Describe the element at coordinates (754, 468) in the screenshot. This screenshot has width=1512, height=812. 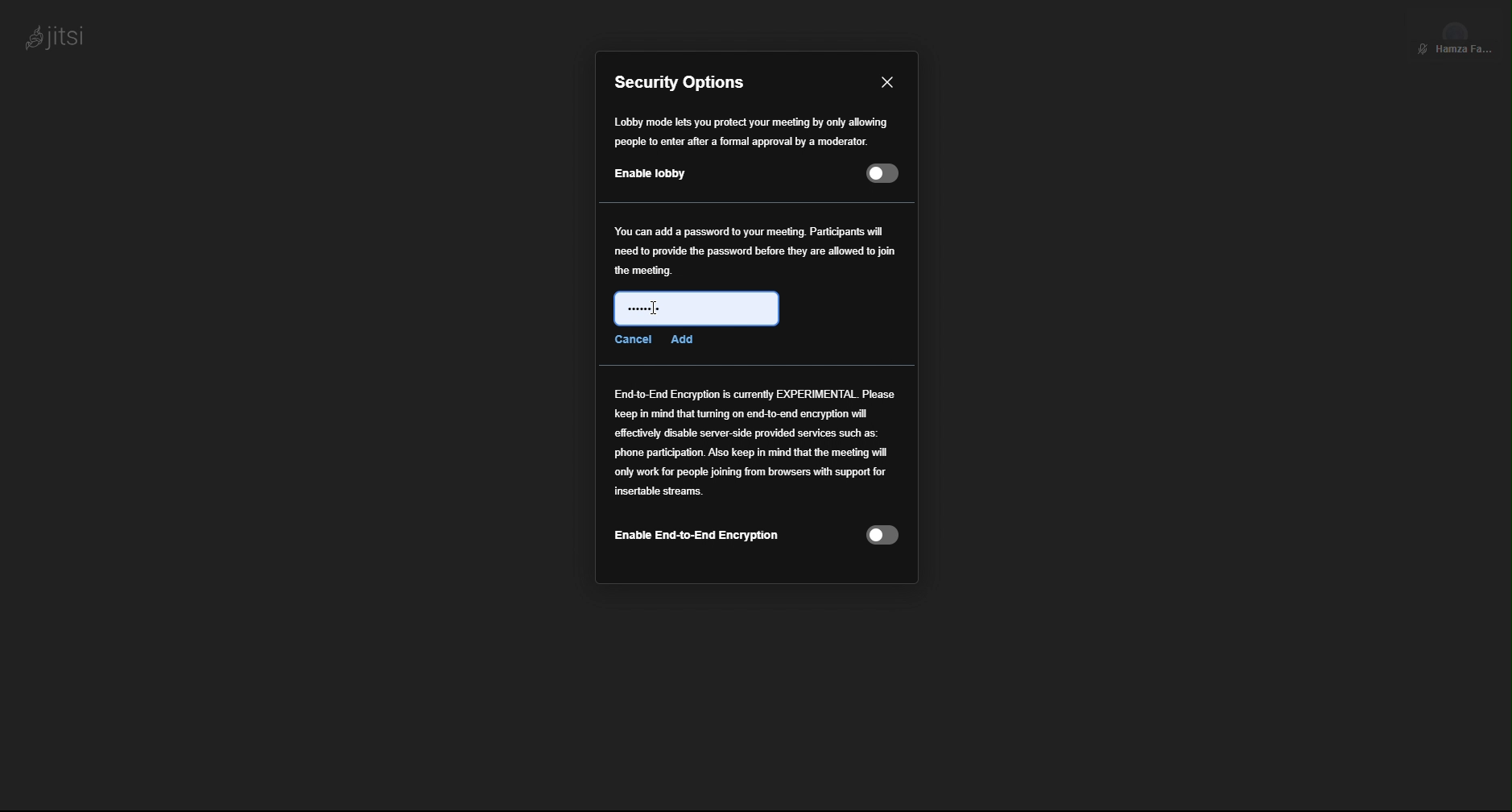
I see `End to End Encryption` at that location.